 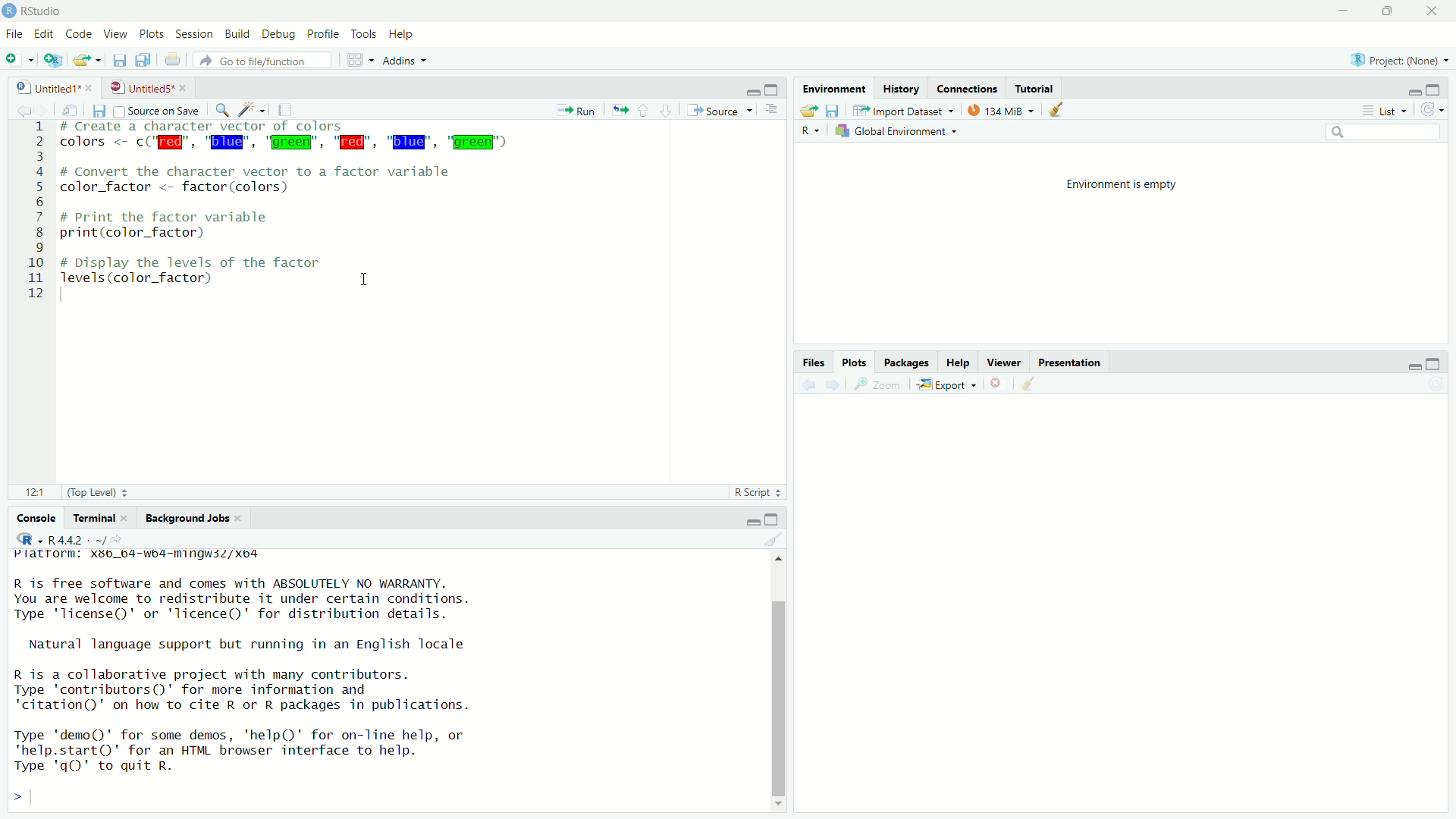 What do you see at coordinates (1437, 108) in the screenshot?
I see `refresh` at bounding box center [1437, 108].